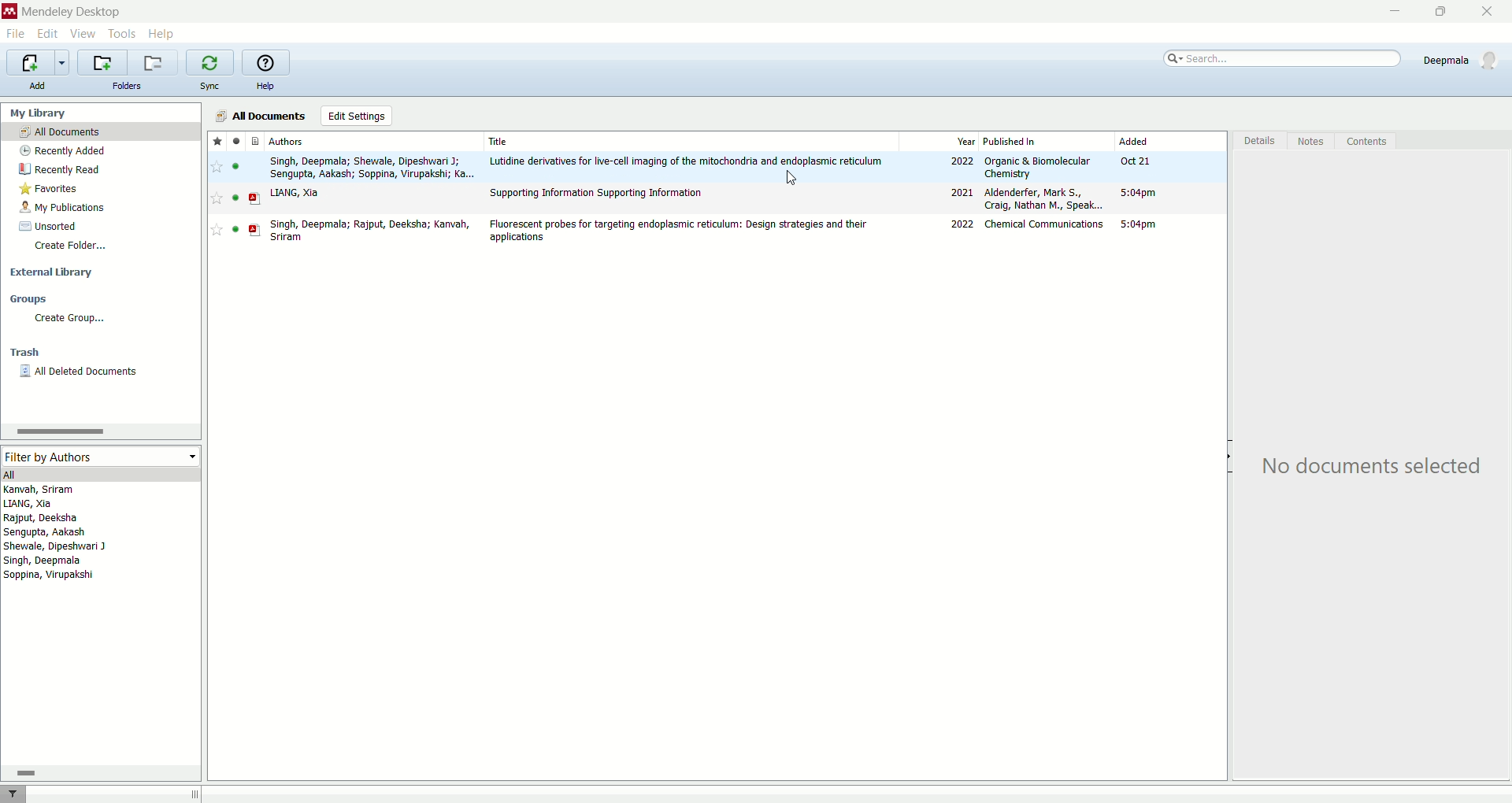 The height and width of the screenshot is (803, 1512). What do you see at coordinates (1134, 161) in the screenshot?
I see `Oct 21` at bounding box center [1134, 161].